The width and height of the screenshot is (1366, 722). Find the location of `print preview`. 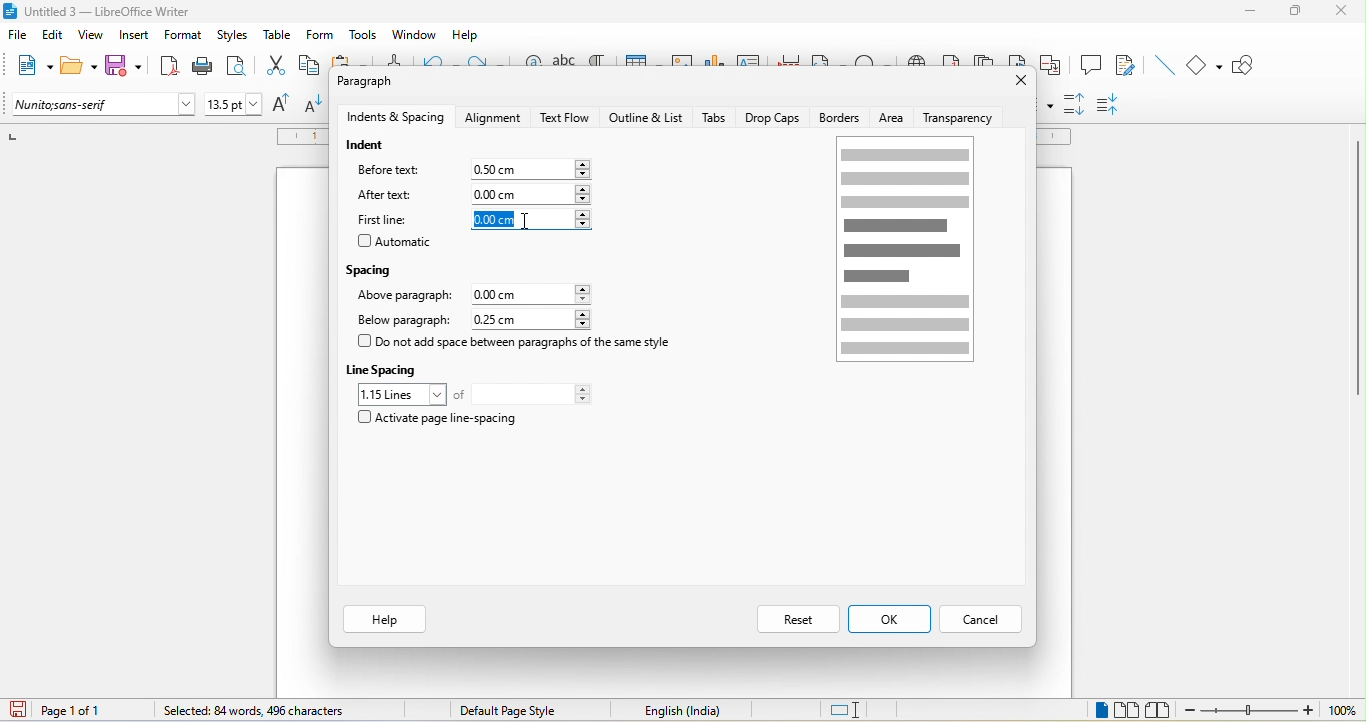

print preview is located at coordinates (241, 66).